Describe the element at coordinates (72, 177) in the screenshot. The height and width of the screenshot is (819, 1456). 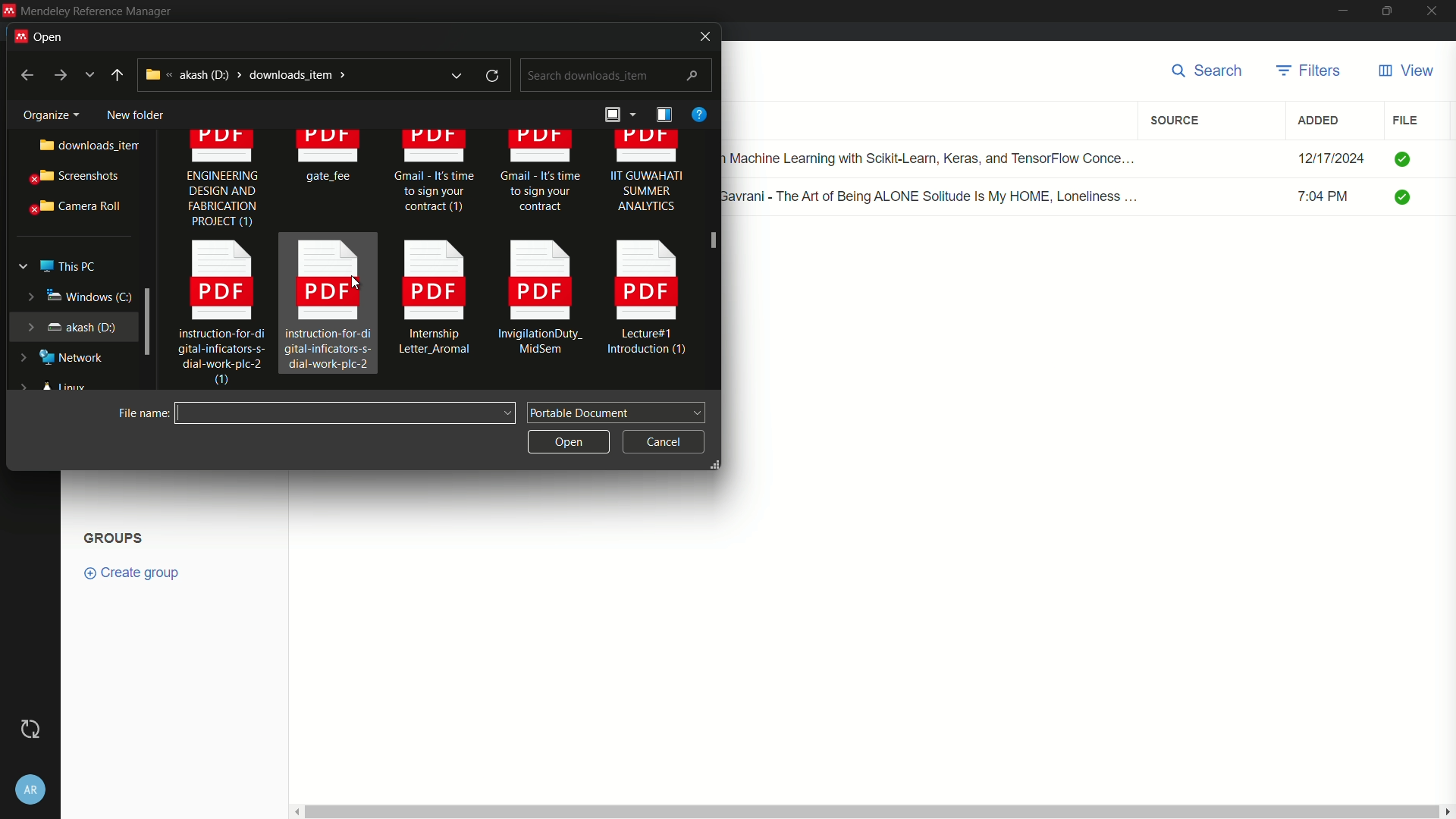
I see `screenshots` at that location.